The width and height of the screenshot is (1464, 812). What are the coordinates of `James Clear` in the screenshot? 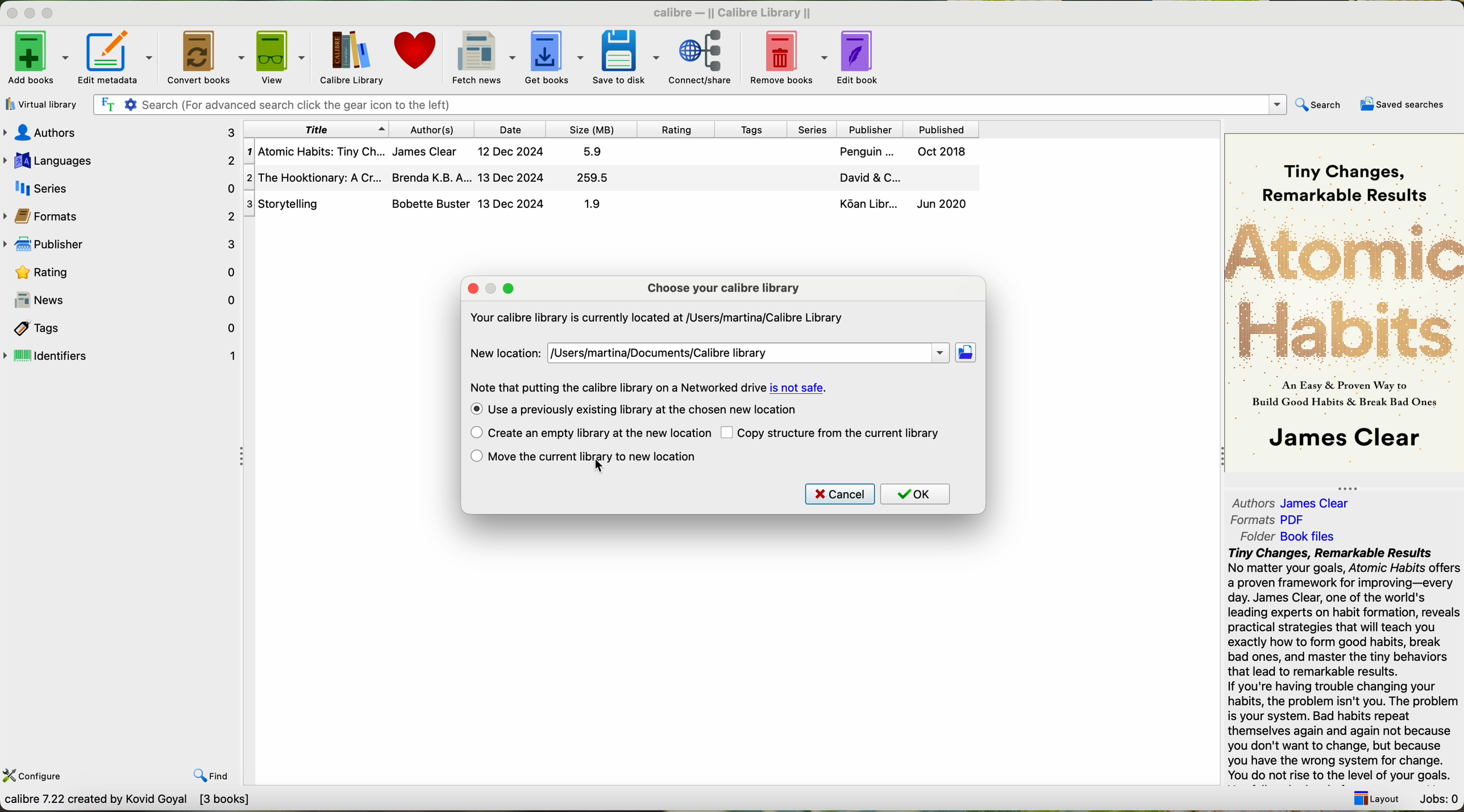 It's located at (1320, 503).